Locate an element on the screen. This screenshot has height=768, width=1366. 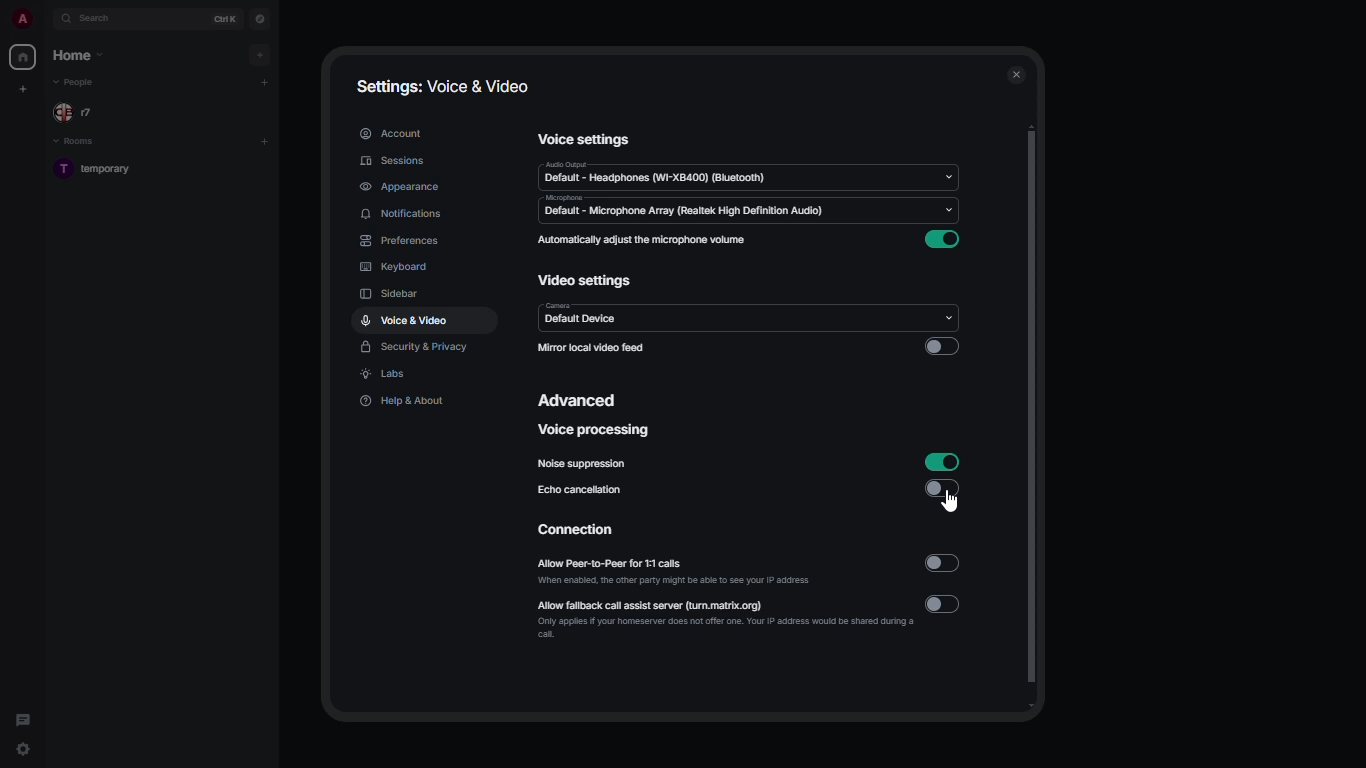
profile is located at coordinates (22, 19).